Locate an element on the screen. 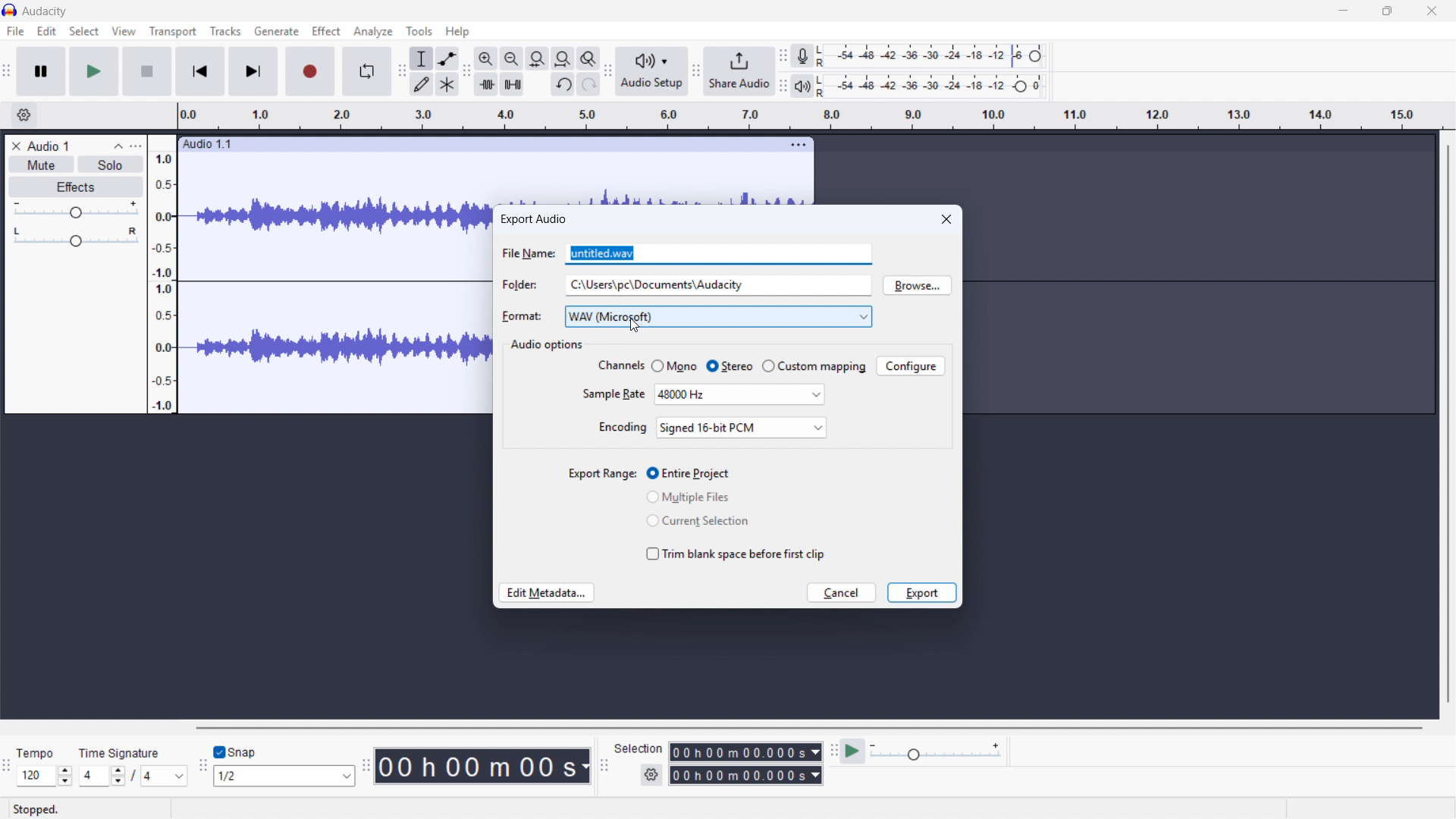 The height and width of the screenshot is (819, 1456). playback metre toolbar  is located at coordinates (783, 86).